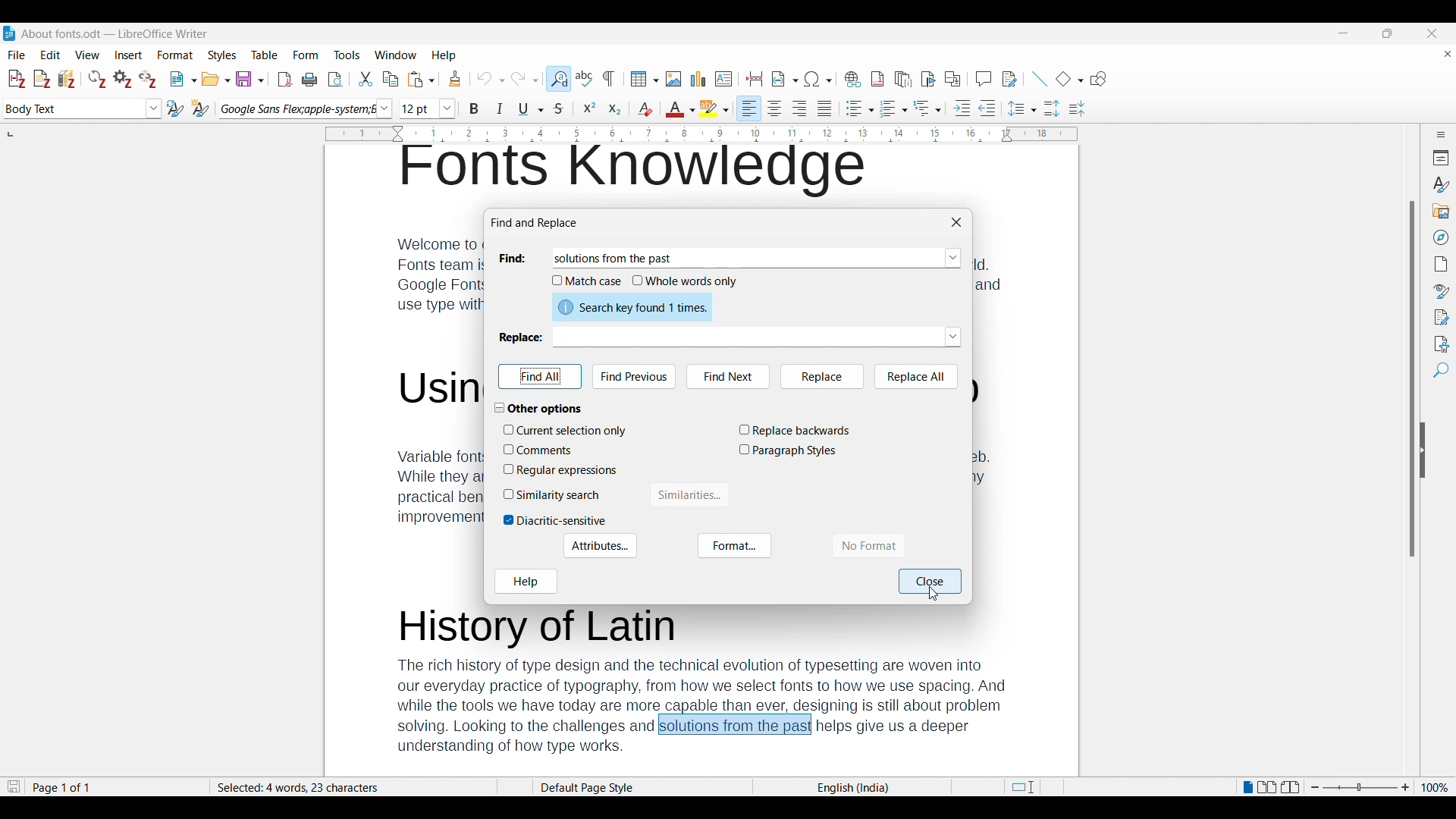 The width and height of the screenshot is (1456, 819). What do you see at coordinates (825, 108) in the screenshot?
I see `Align justified` at bounding box center [825, 108].